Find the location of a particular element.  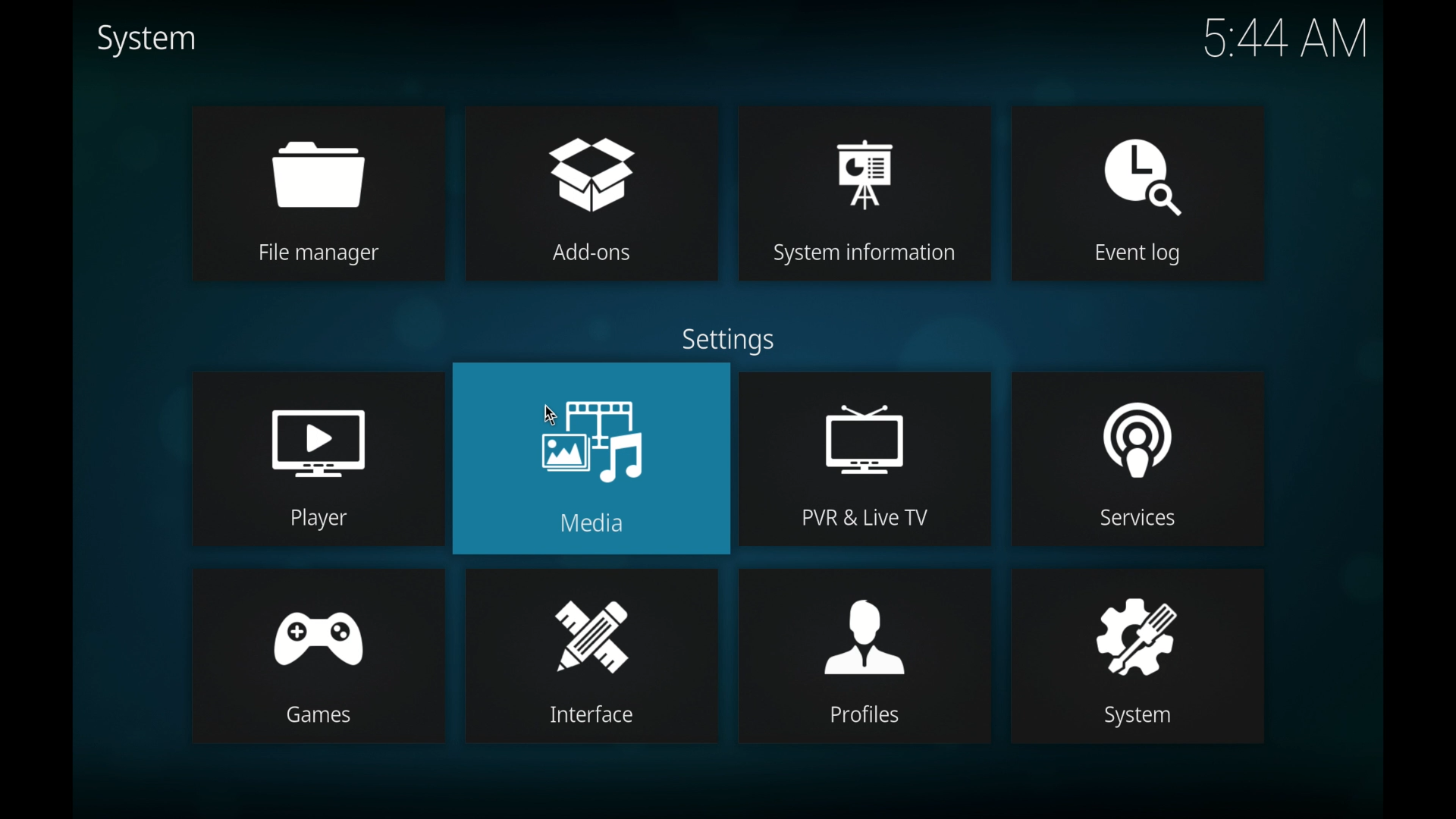

interface is located at coordinates (591, 657).